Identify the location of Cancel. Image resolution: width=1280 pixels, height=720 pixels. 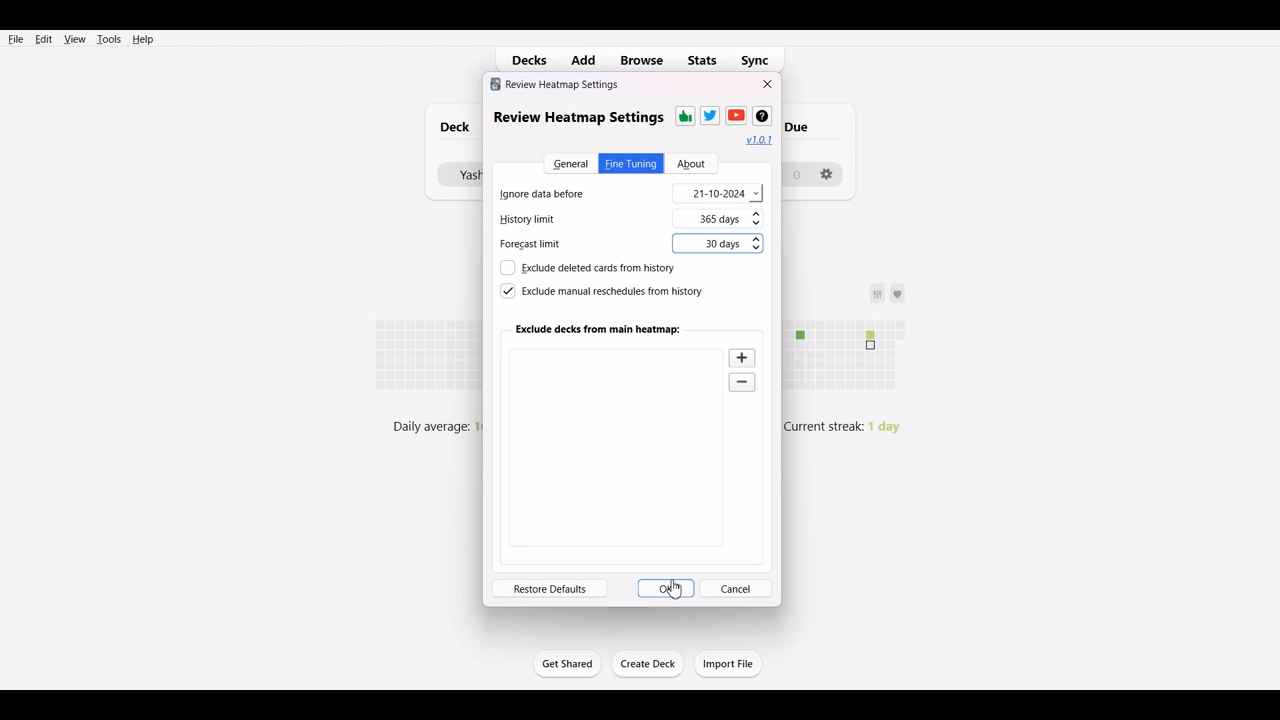
(736, 588).